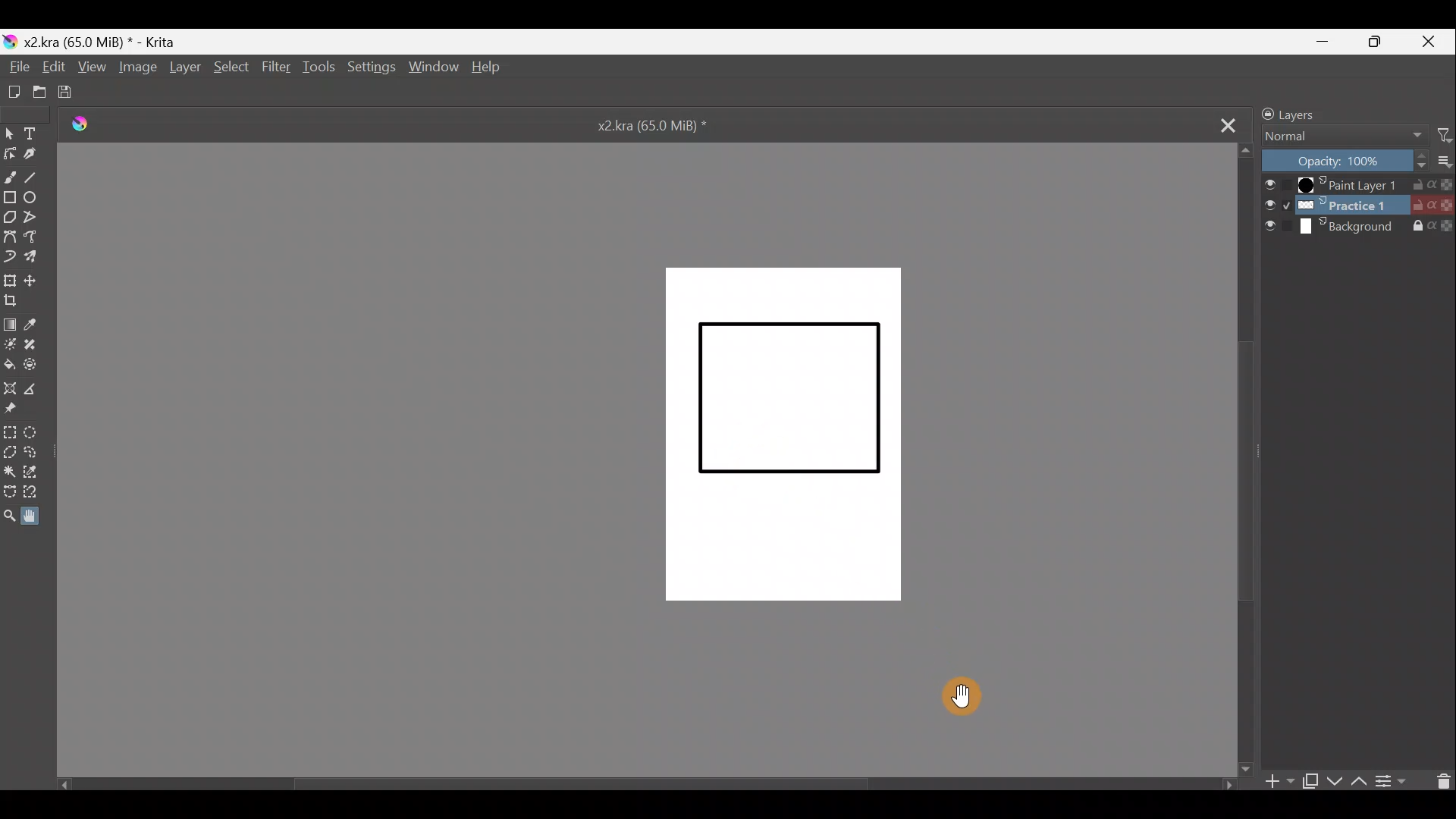  I want to click on Edit, so click(49, 65).